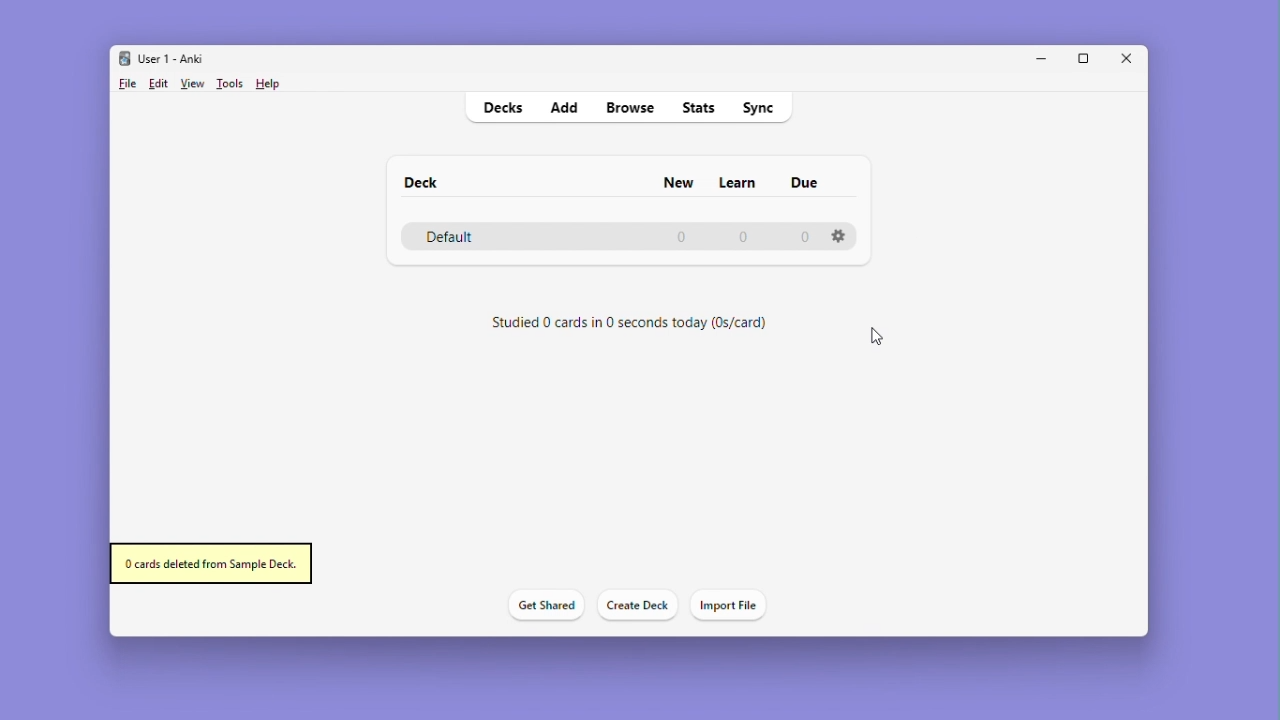 This screenshot has width=1280, height=720. Describe the element at coordinates (639, 324) in the screenshot. I see `Studied 0 cards in 0 seconds today (0s/card)` at that location.